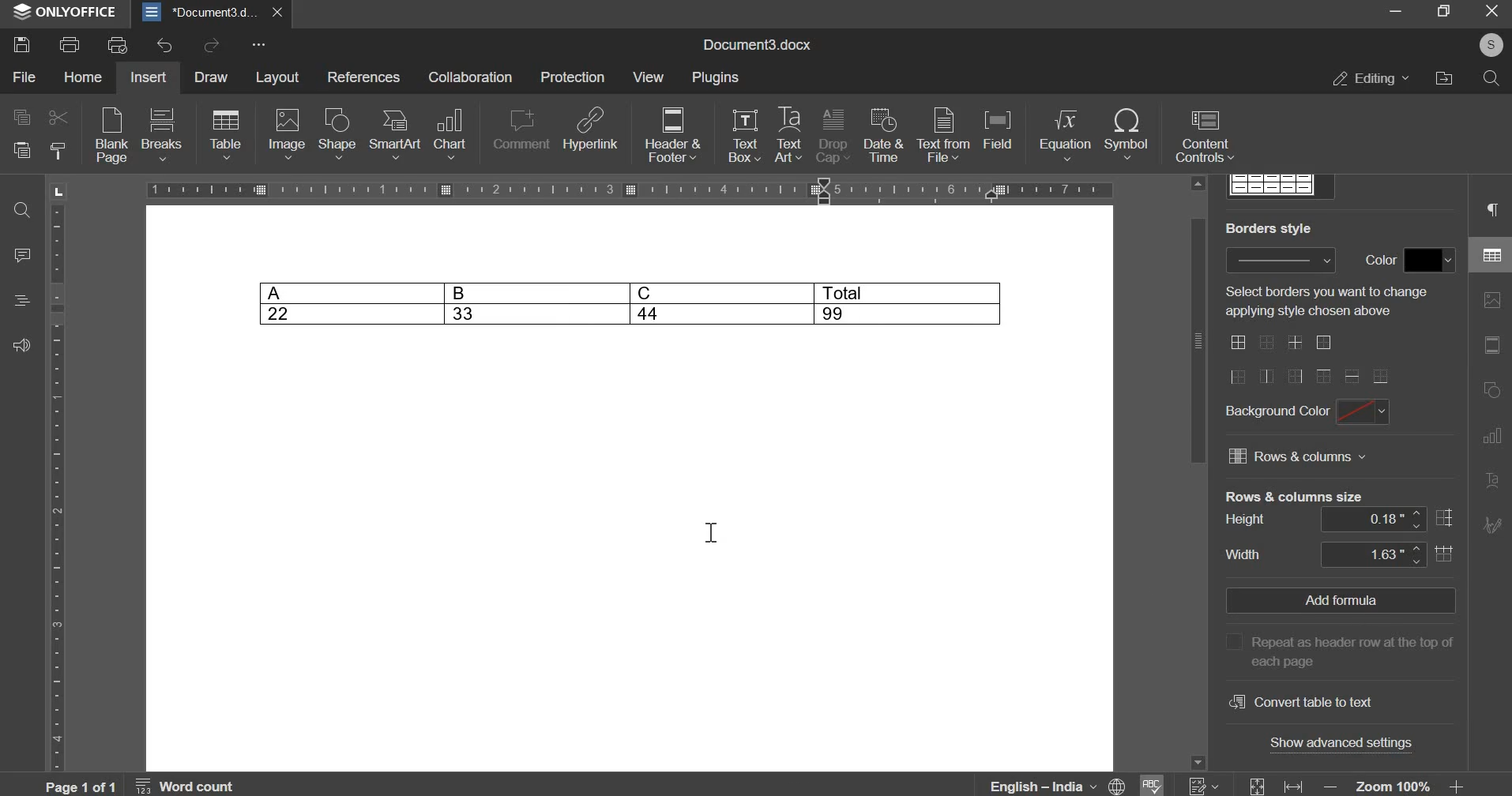  What do you see at coordinates (1299, 700) in the screenshot?
I see `convert table to text` at bounding box center [1299, 700].